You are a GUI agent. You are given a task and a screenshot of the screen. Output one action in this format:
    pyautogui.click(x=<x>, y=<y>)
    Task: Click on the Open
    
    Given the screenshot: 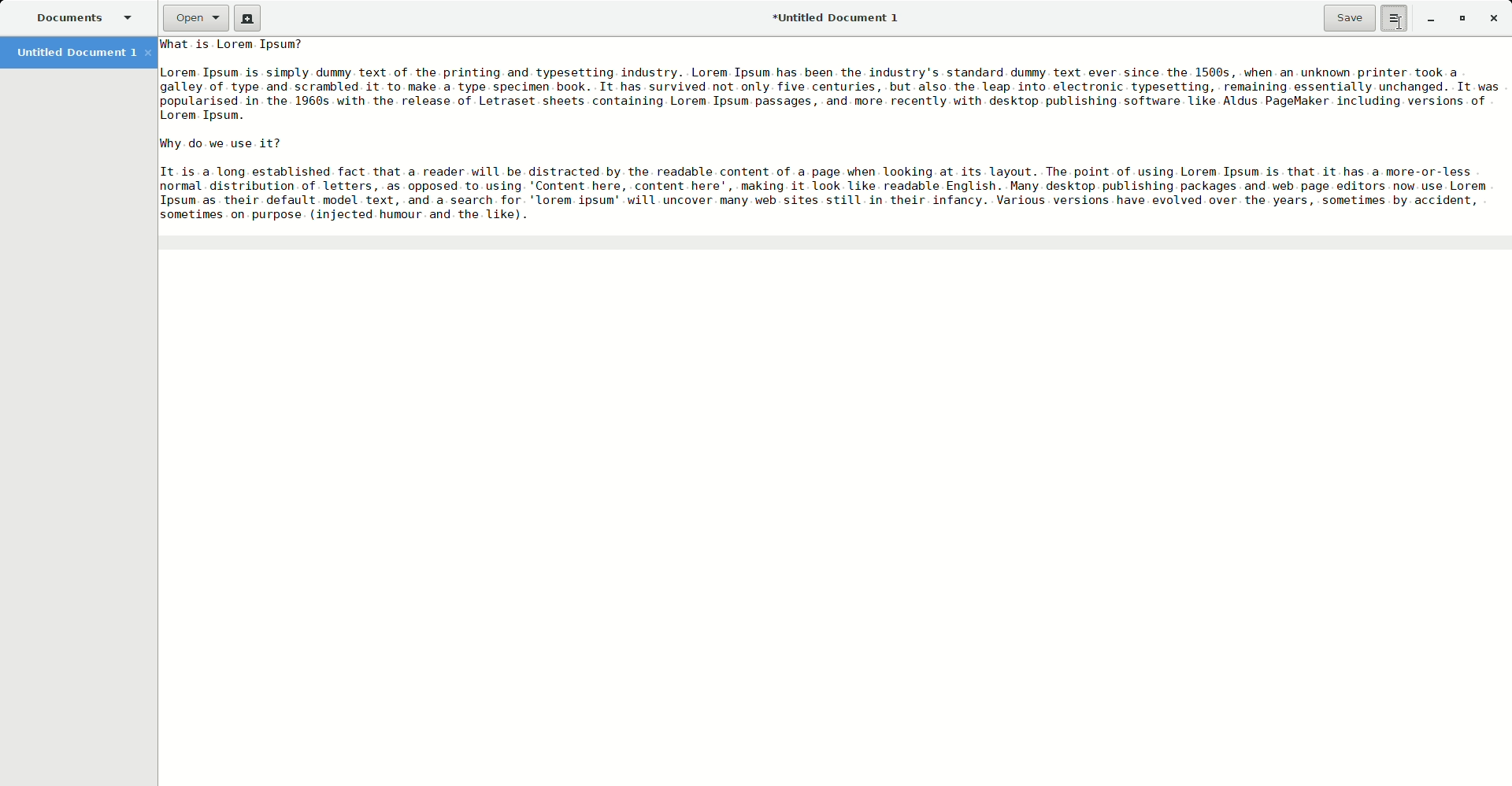 What is the action you would take?
    pyautogui.click(x=195, y=17)
    